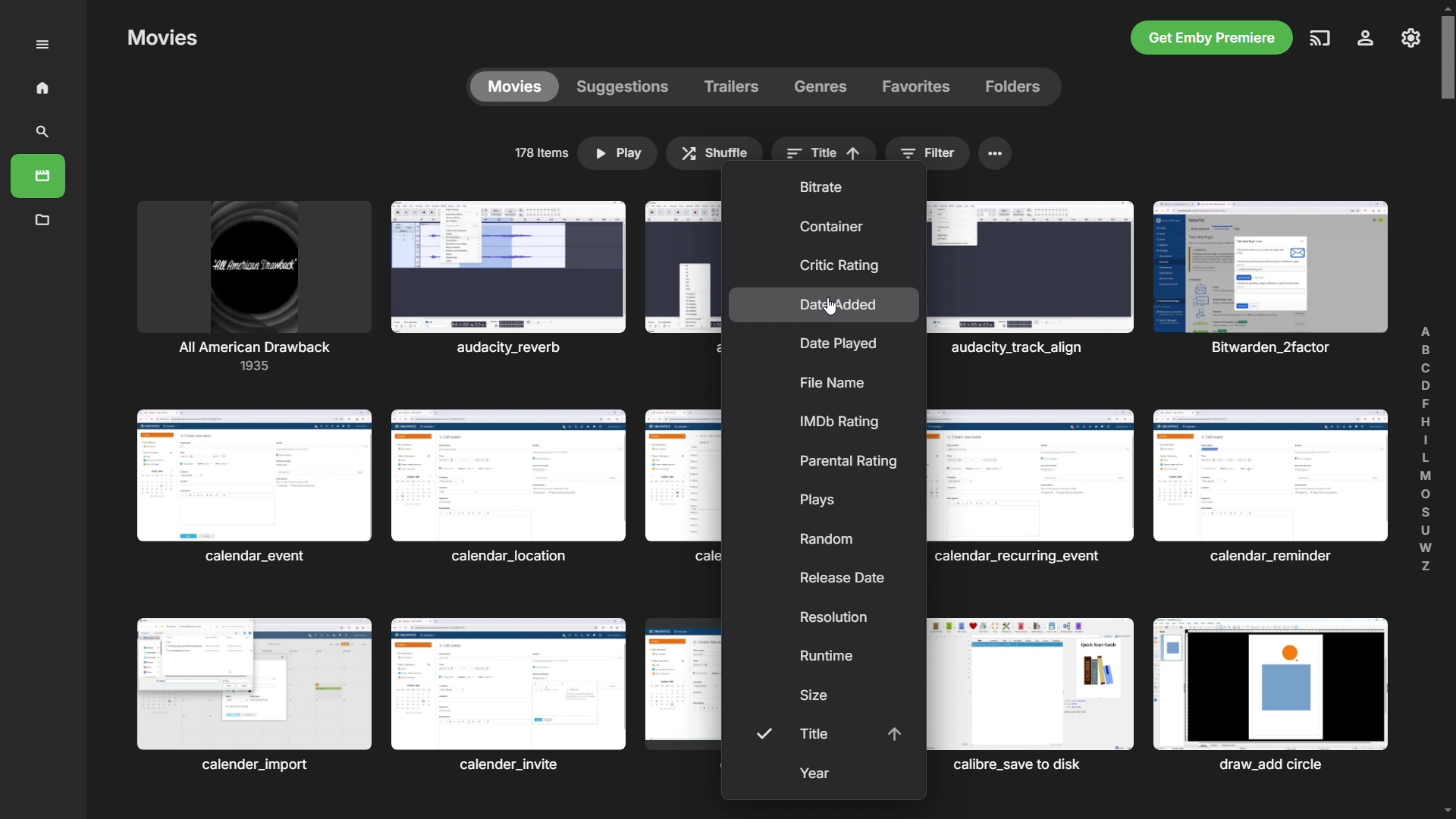  Describe the element at coordinates (917, 86) in the screenshot. I see `favorites` at that location.